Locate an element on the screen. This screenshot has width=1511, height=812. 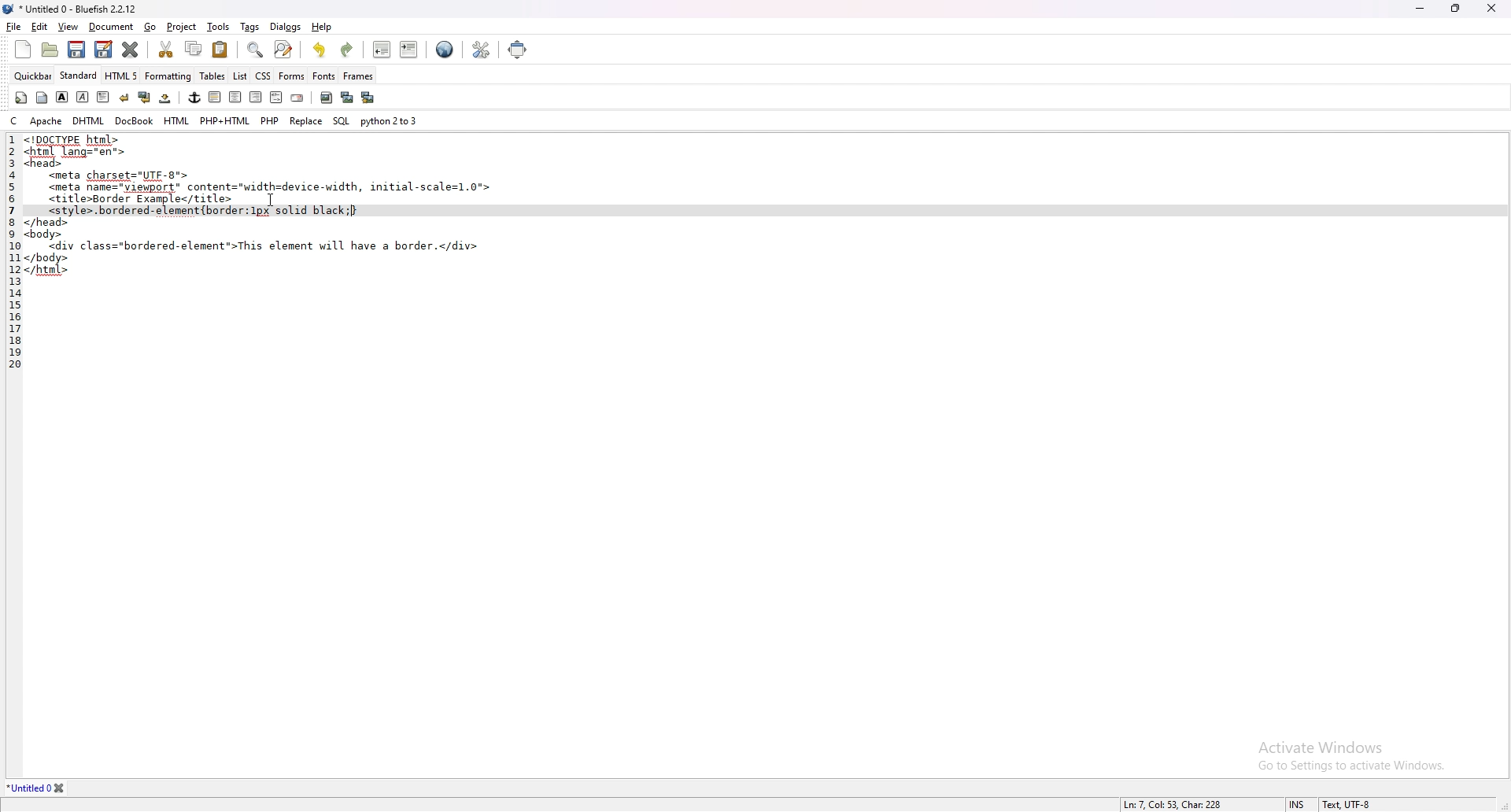
html comment is located at coordinates (275, 98).